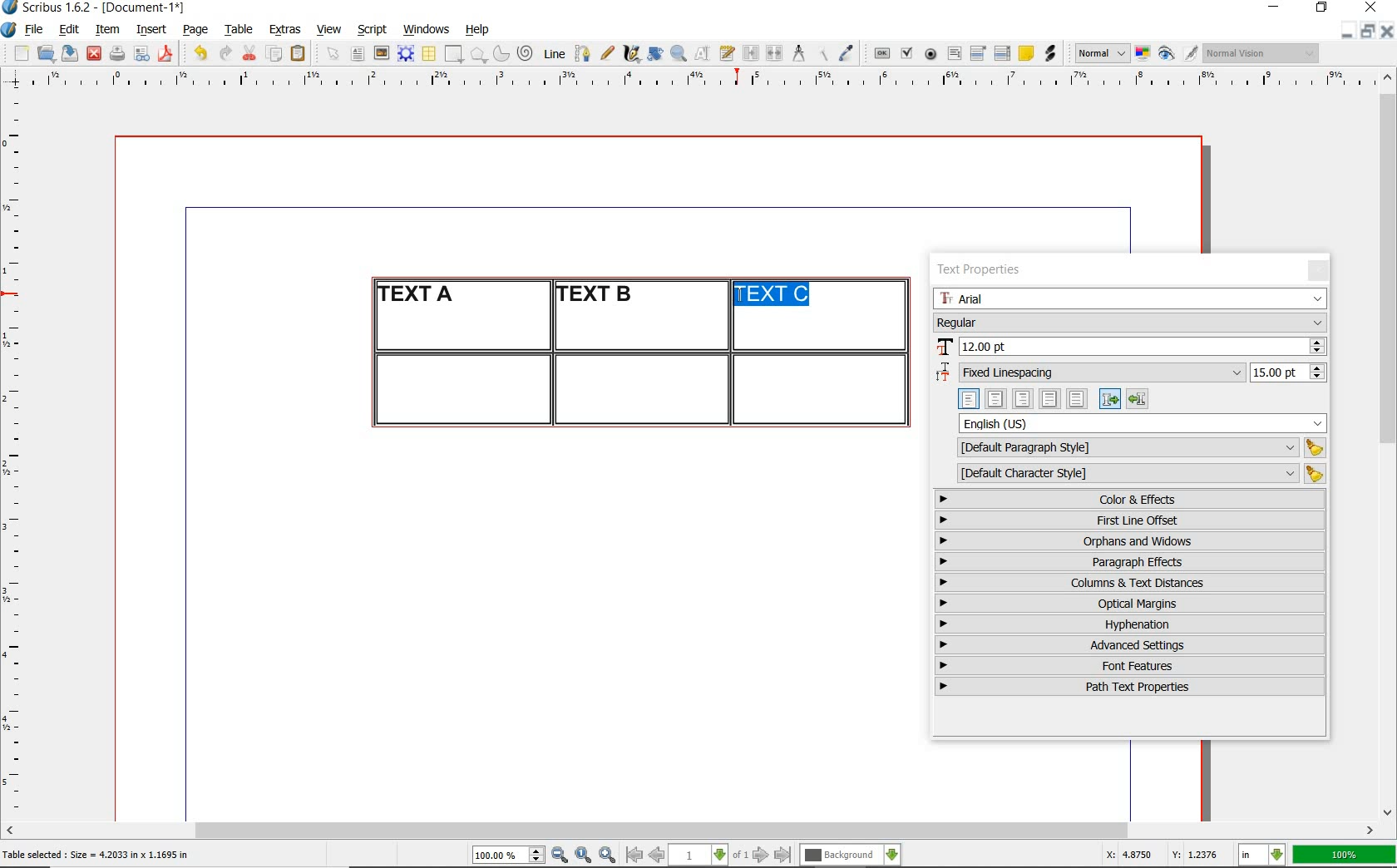  Describe the element at coordinates (1345, 855) in the screenshot. I see `100%` at that location.